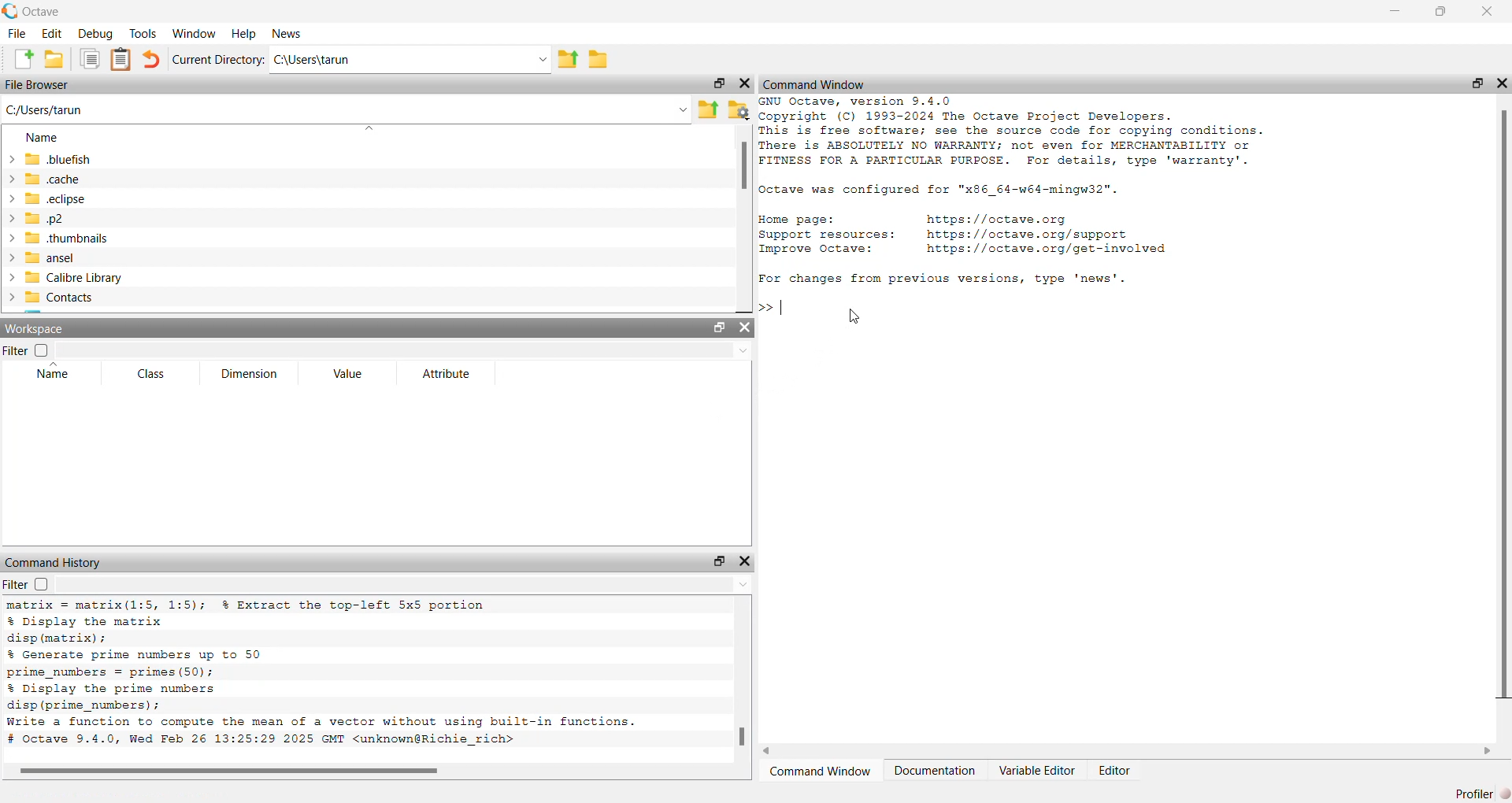 This screenshot has width=1512, height=803. What do you see at coordinates (153, 60) in the screenshot?
I see `undo` at bounding box center [153, 60].